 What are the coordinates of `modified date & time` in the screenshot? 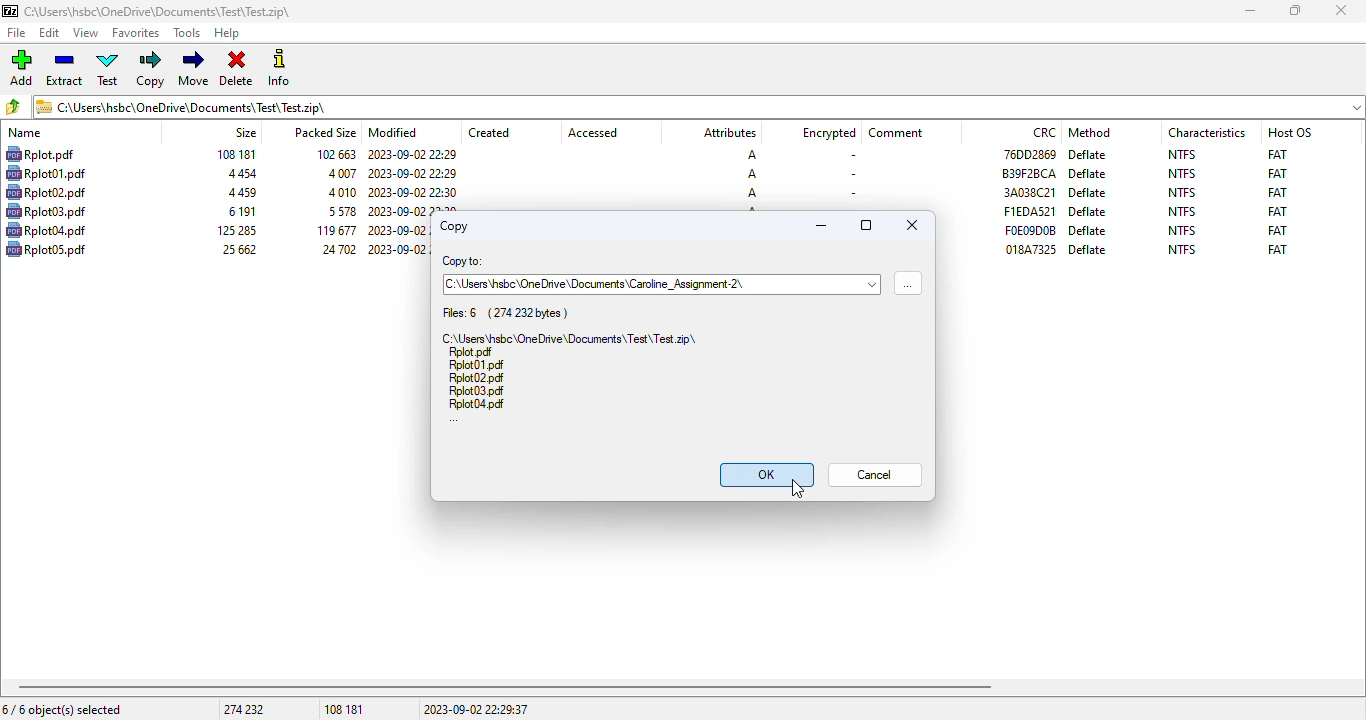 It's located at (413, 192).